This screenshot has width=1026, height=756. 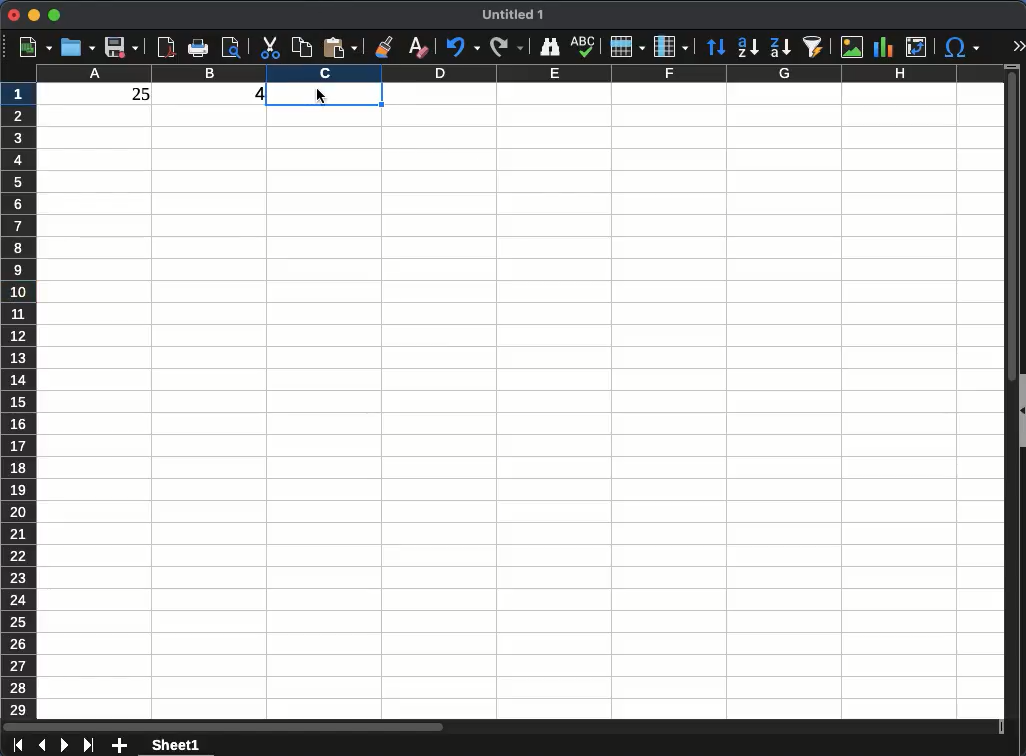 I want to click on undo , so click(x=463, y=47).